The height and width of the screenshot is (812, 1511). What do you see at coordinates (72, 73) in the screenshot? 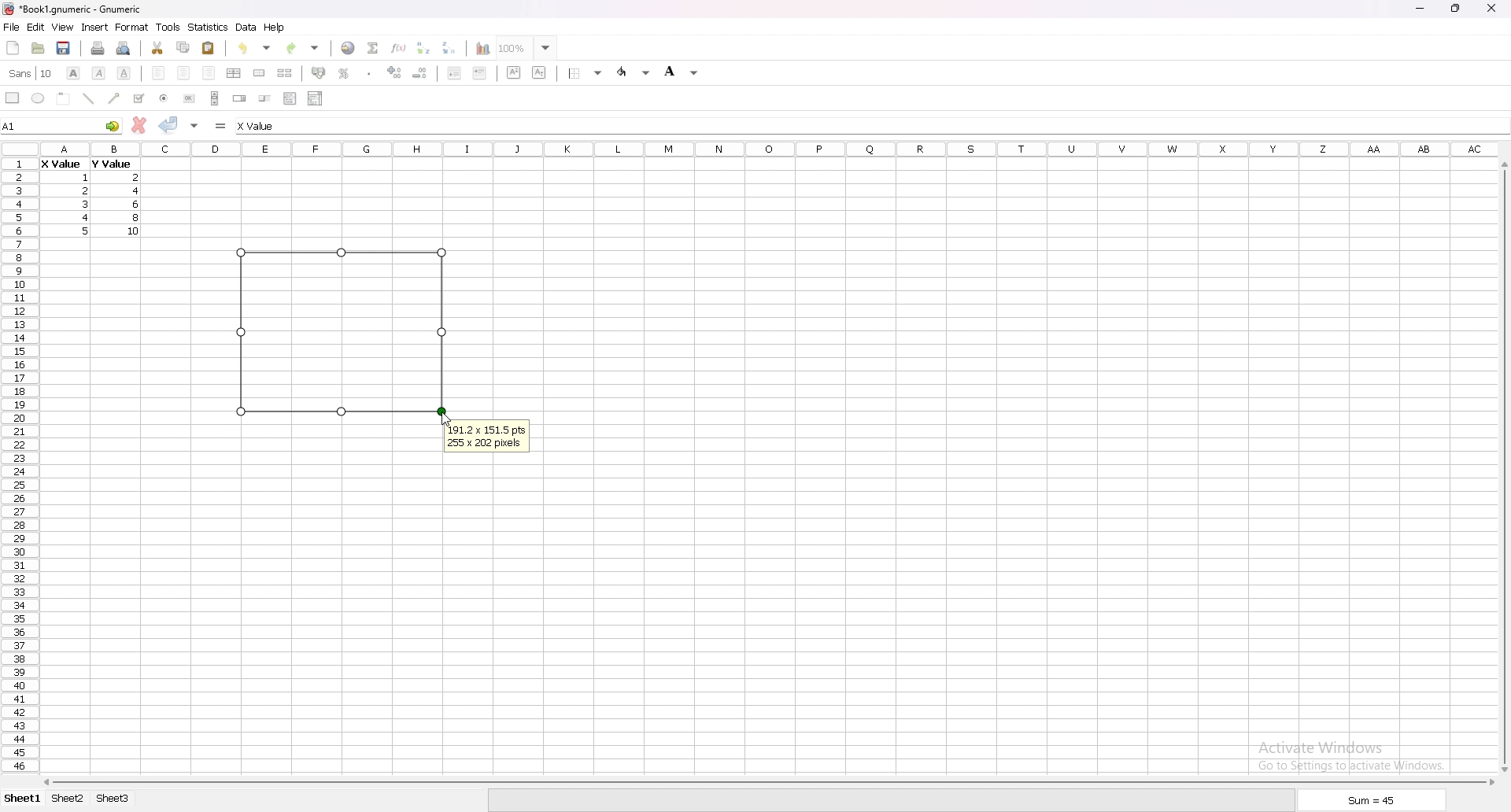
I see `bold` at bounding box center [72, 73].